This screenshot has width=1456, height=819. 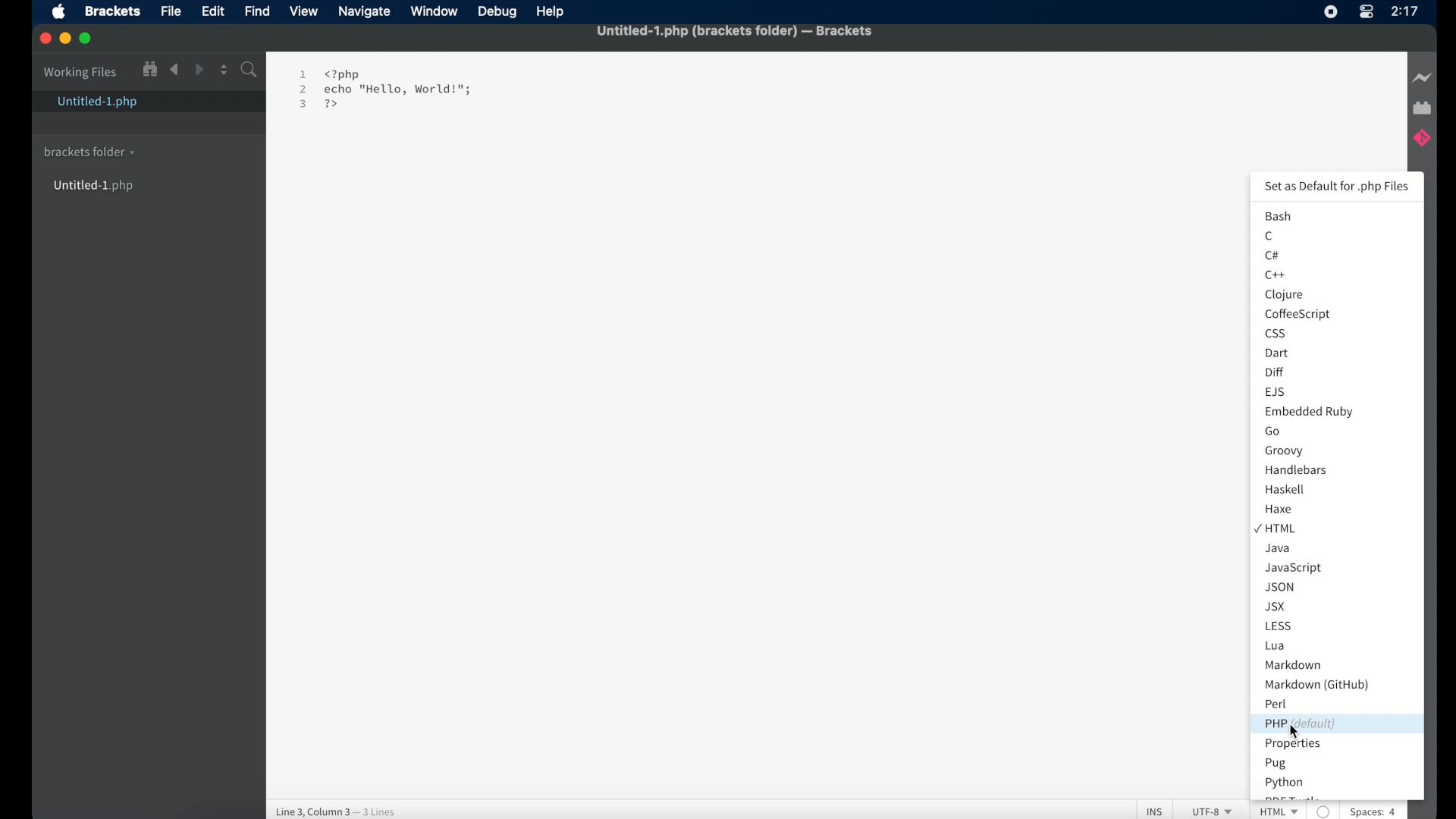 I want to click on maximize, so click(x=87, y=38).